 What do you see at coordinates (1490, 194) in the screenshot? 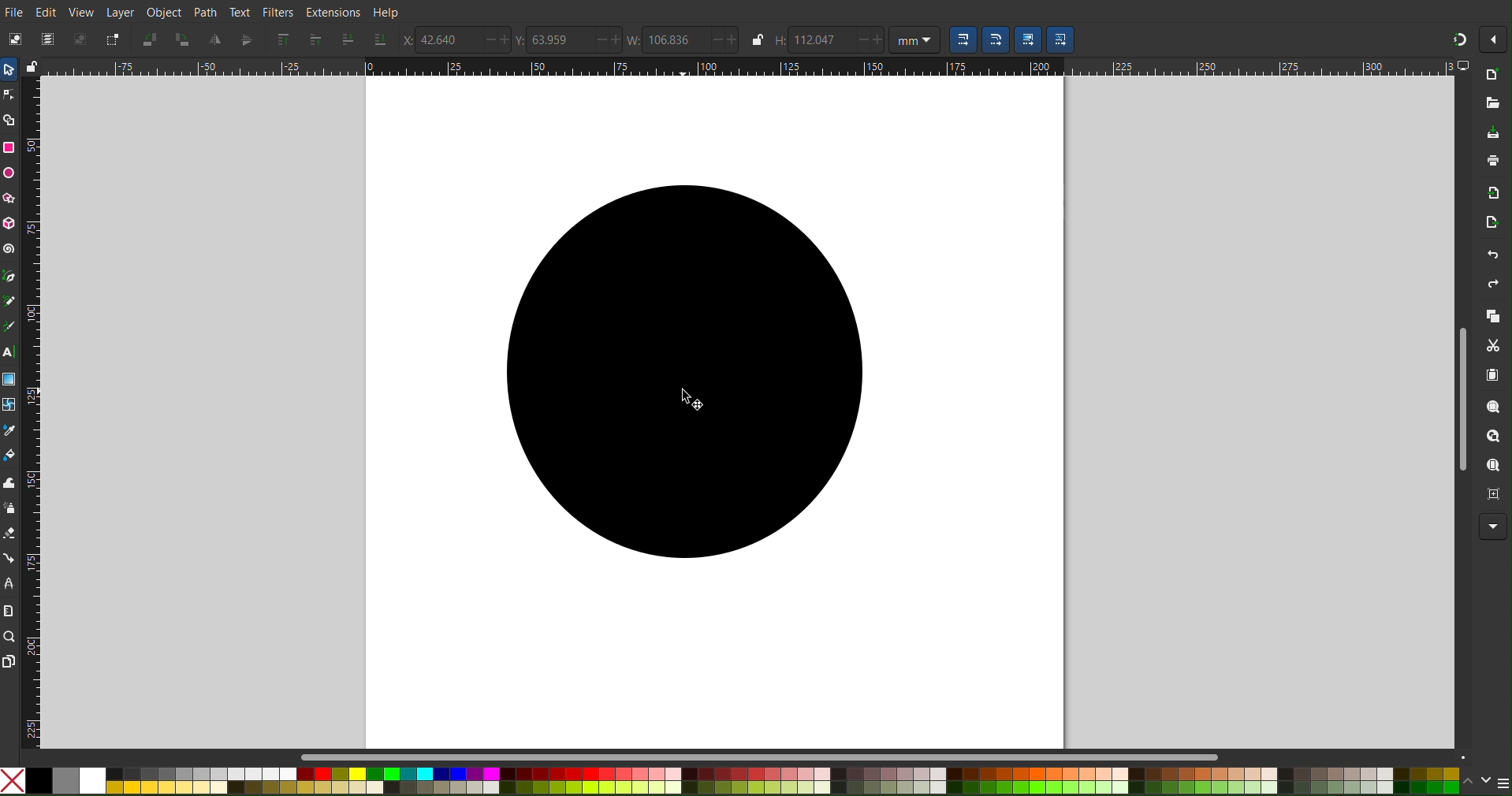
I see `Import Bitmap` at bounding box center [1490, 194].